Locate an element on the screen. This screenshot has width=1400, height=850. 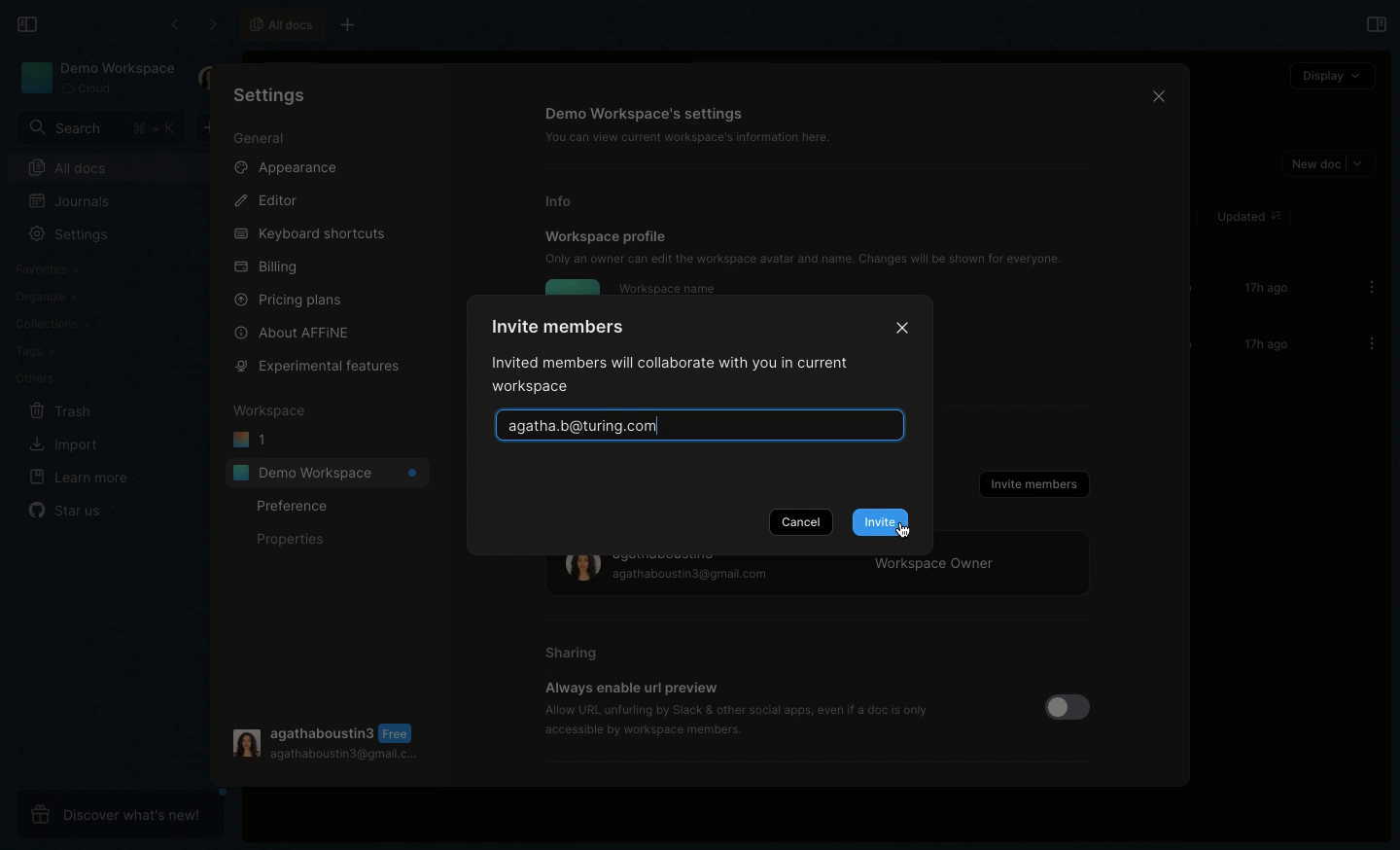
Agatha.b@turing.com is located at coordinates (699, 424).